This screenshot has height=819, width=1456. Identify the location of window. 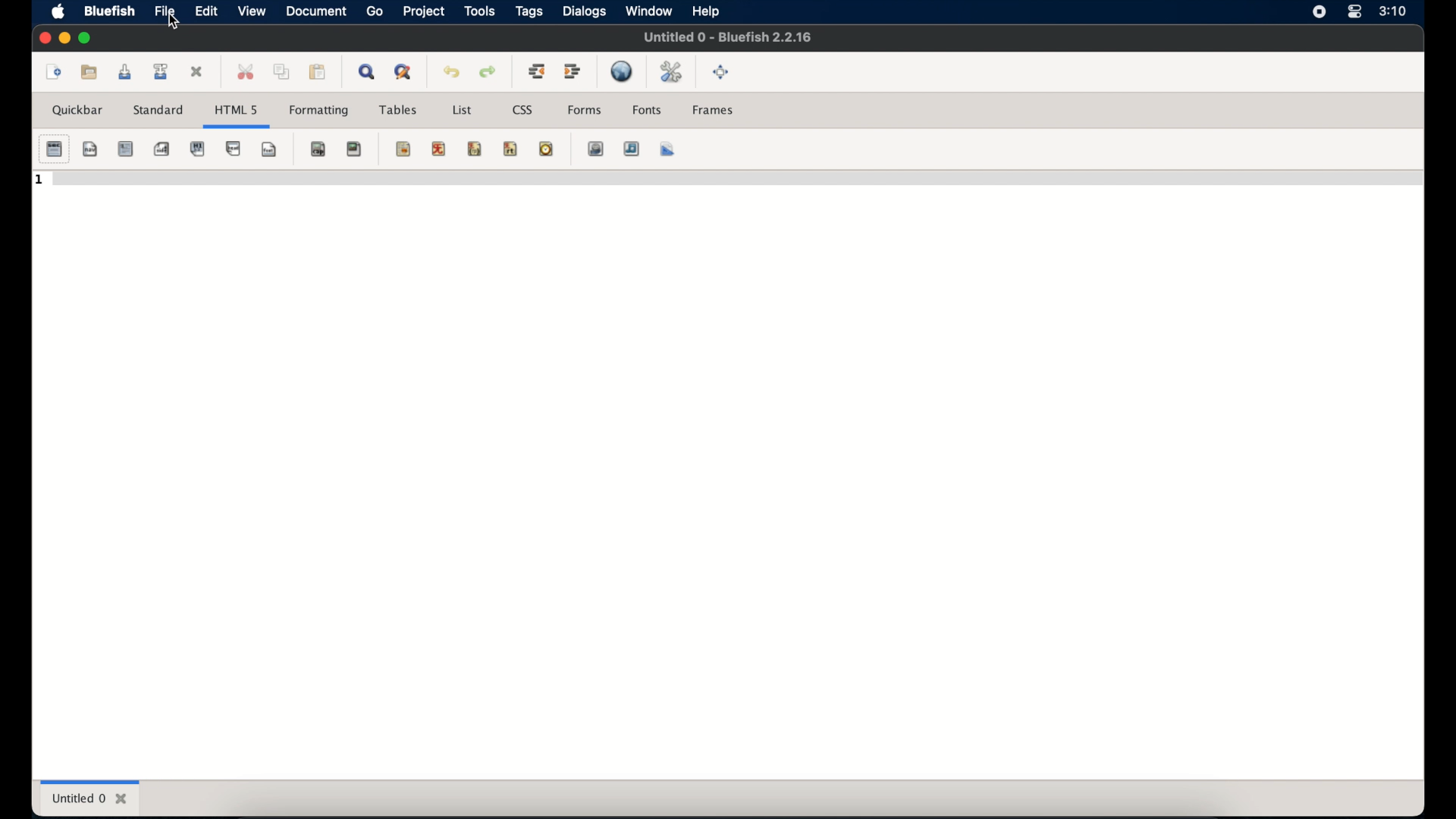
(648, 11).